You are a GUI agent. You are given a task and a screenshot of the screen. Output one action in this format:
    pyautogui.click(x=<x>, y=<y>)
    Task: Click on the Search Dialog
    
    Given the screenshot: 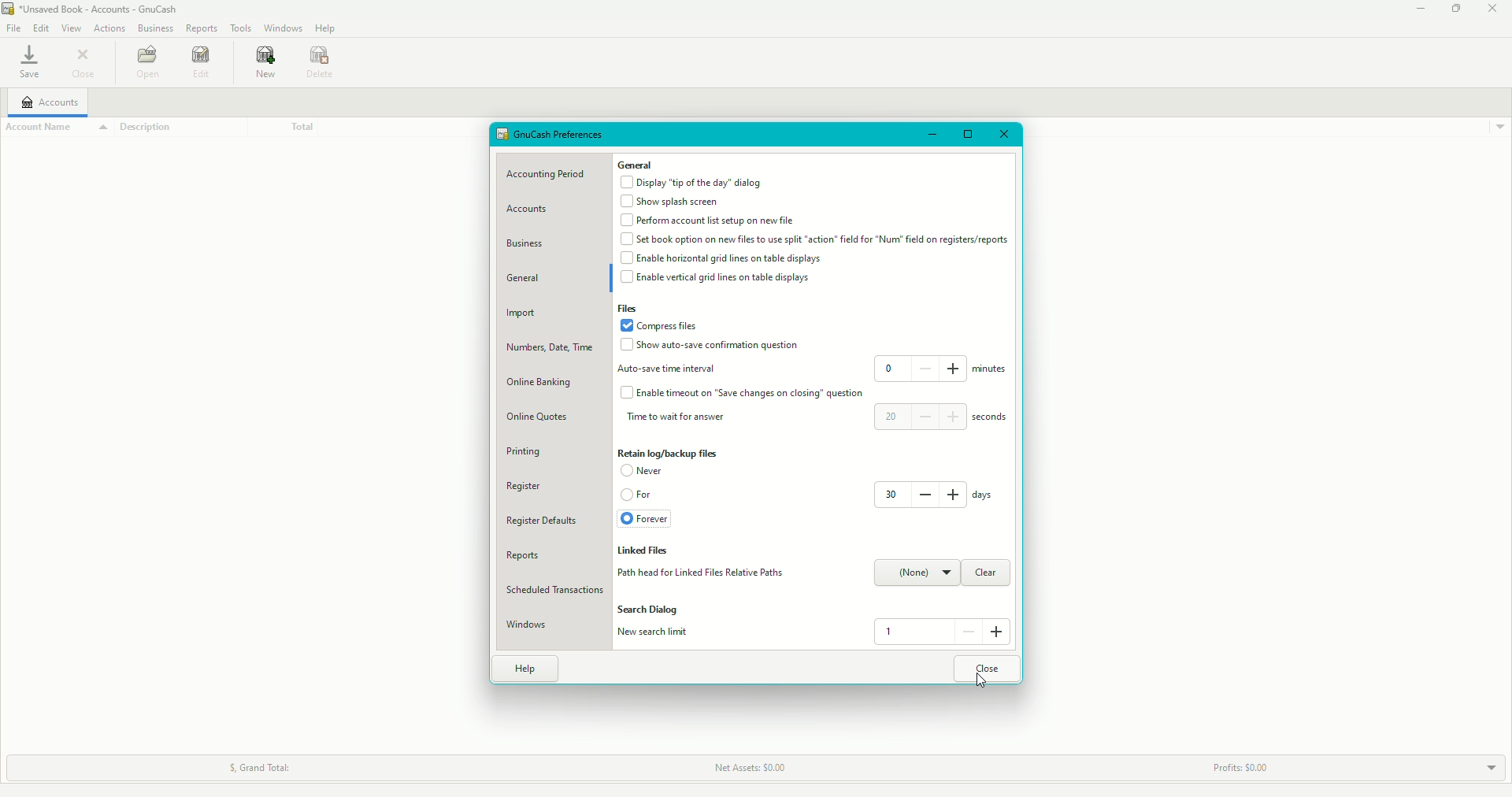 What is the action you would take?
    pyautogui.click(x=650, y=610)
    